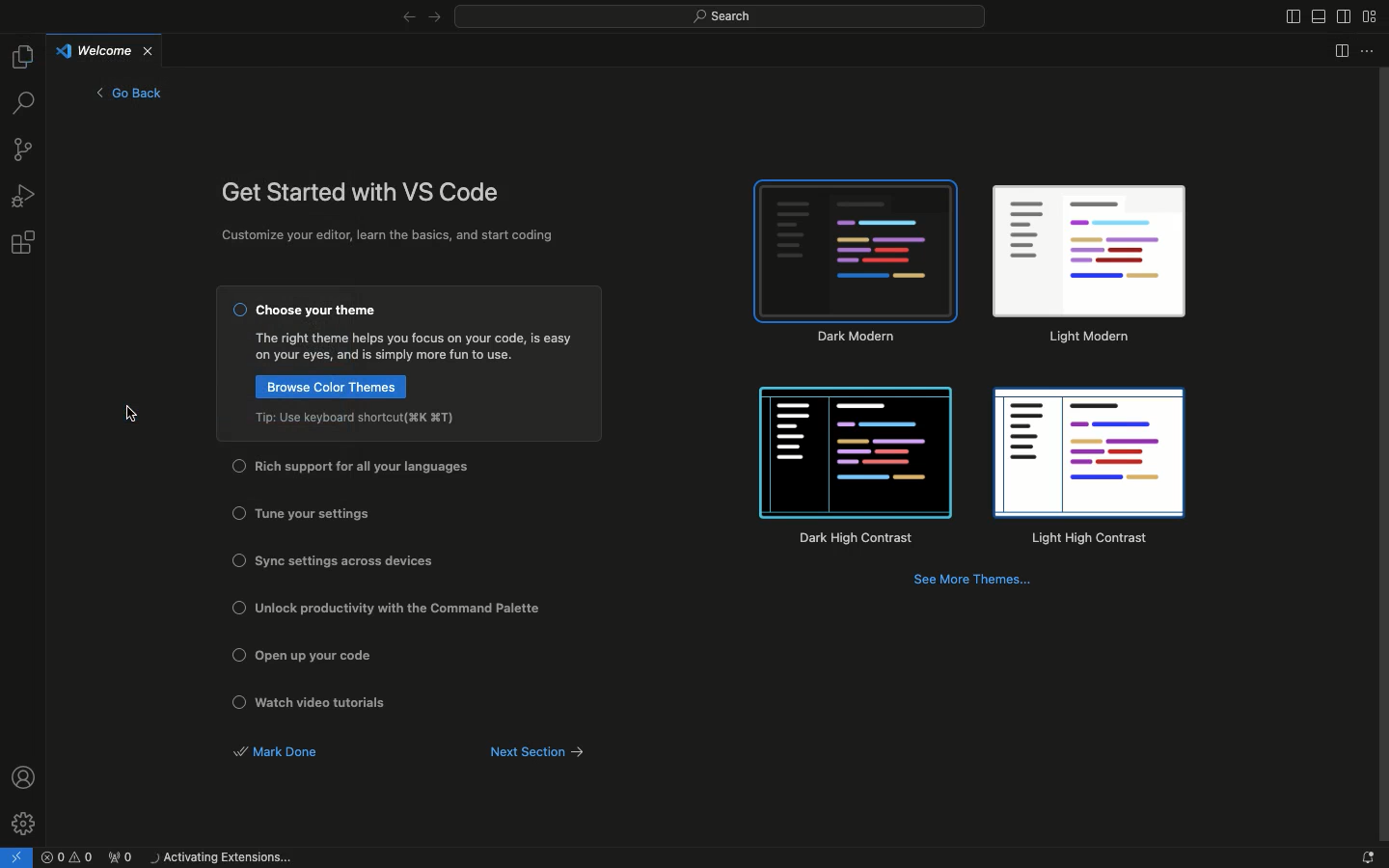 Image resolution: width=1389 pixels, height=868 pixels. Describe the element at coordinates (239, 702) in the screenshot. I see `Checkbox` at that location.